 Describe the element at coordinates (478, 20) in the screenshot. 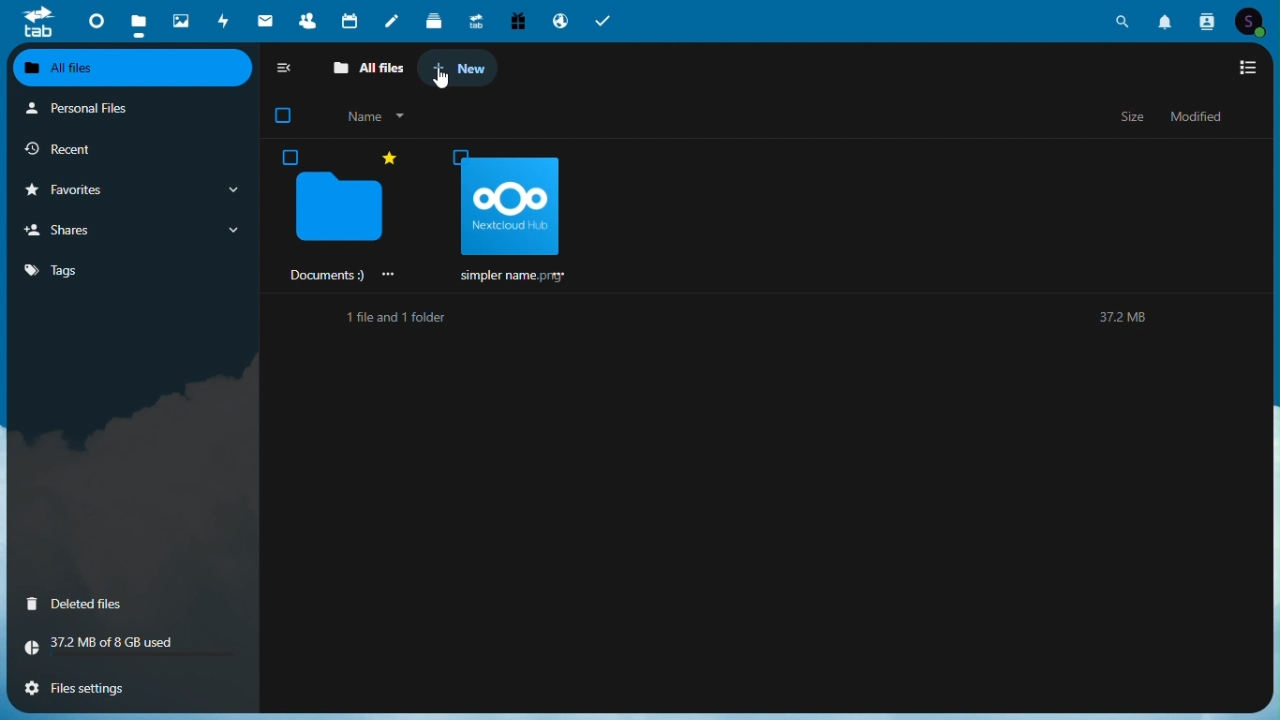

I see `Upgrade` at that location.